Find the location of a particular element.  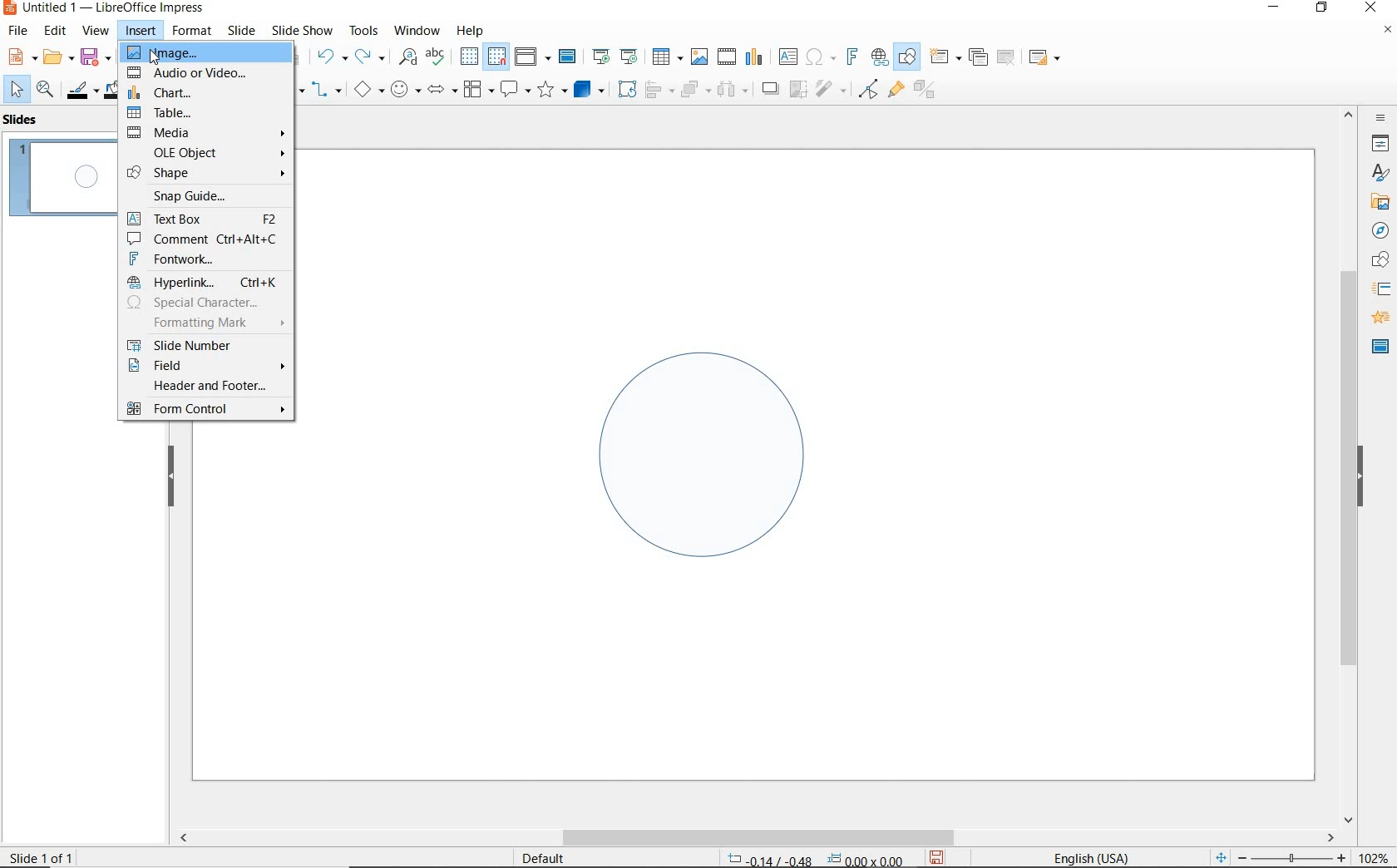

undo is located at coordinates (329, 58).